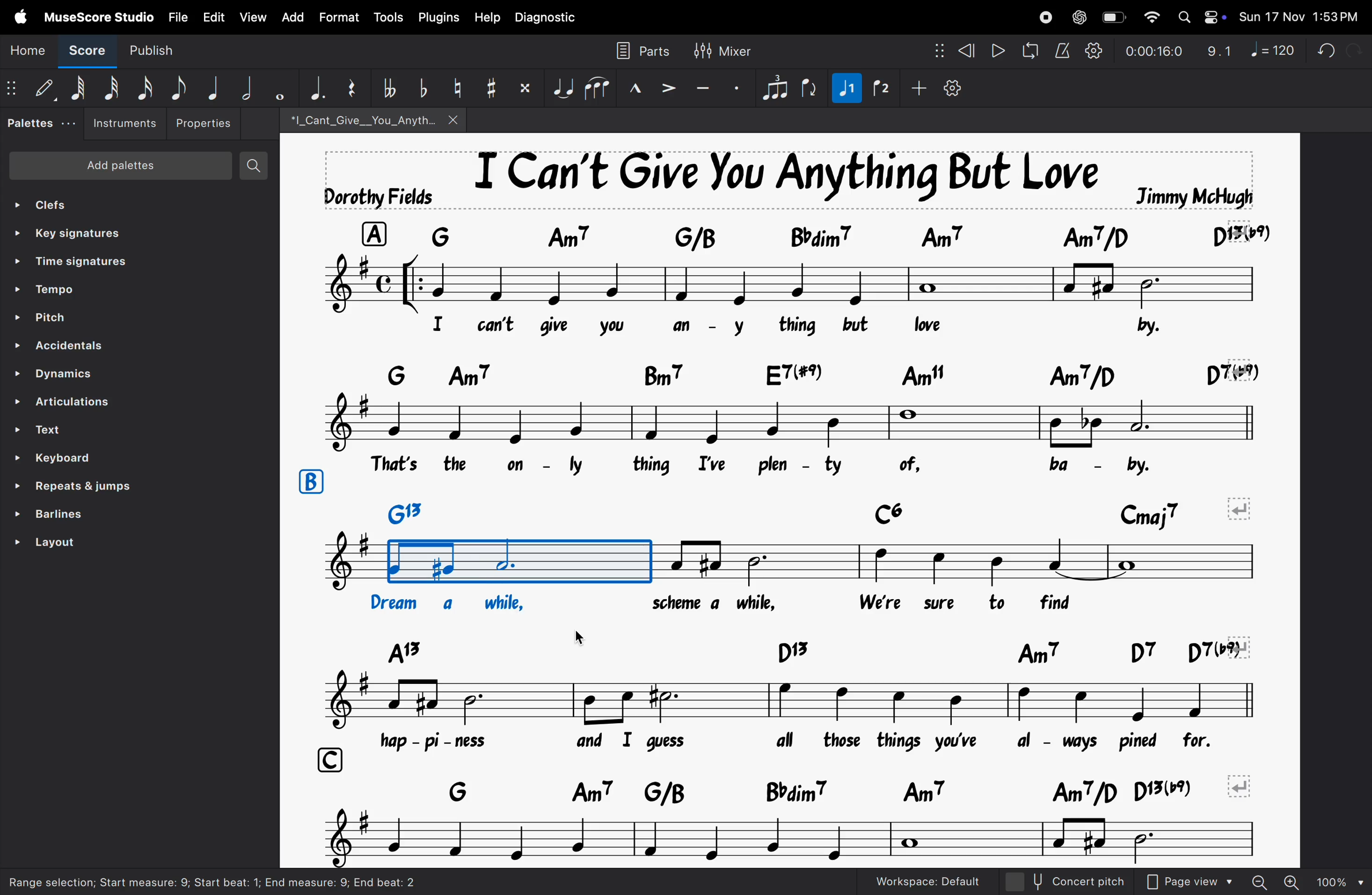 Image resolution: width=1372 pixels, height=895 pixels. What do you see at coordinates (22, 16) in the screenshot?
I see `Apple menu` at bounding box center [22, 16].